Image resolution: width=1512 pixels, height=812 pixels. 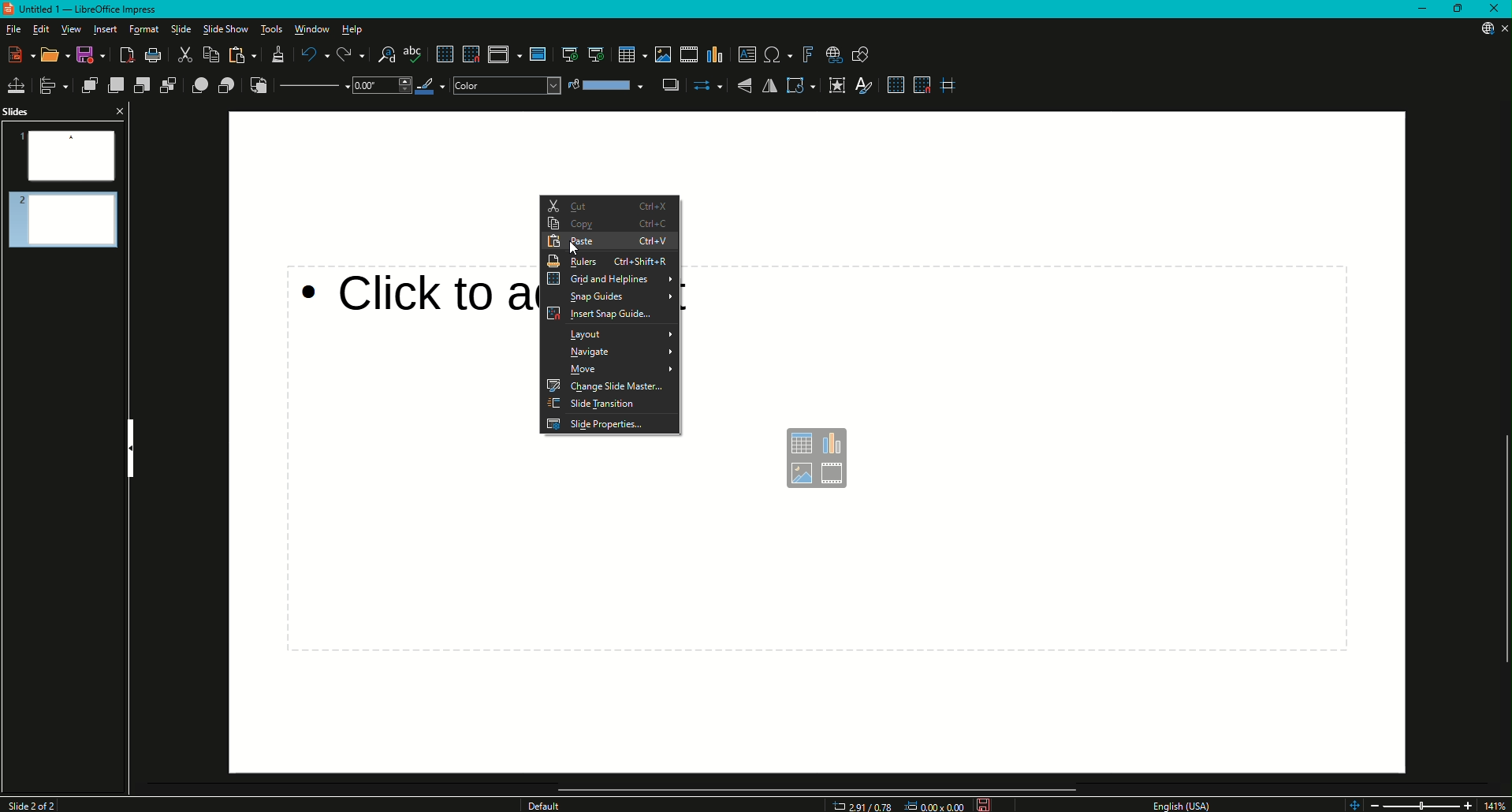 I want to click on Zoom Out, so click(x=1381, y=803).